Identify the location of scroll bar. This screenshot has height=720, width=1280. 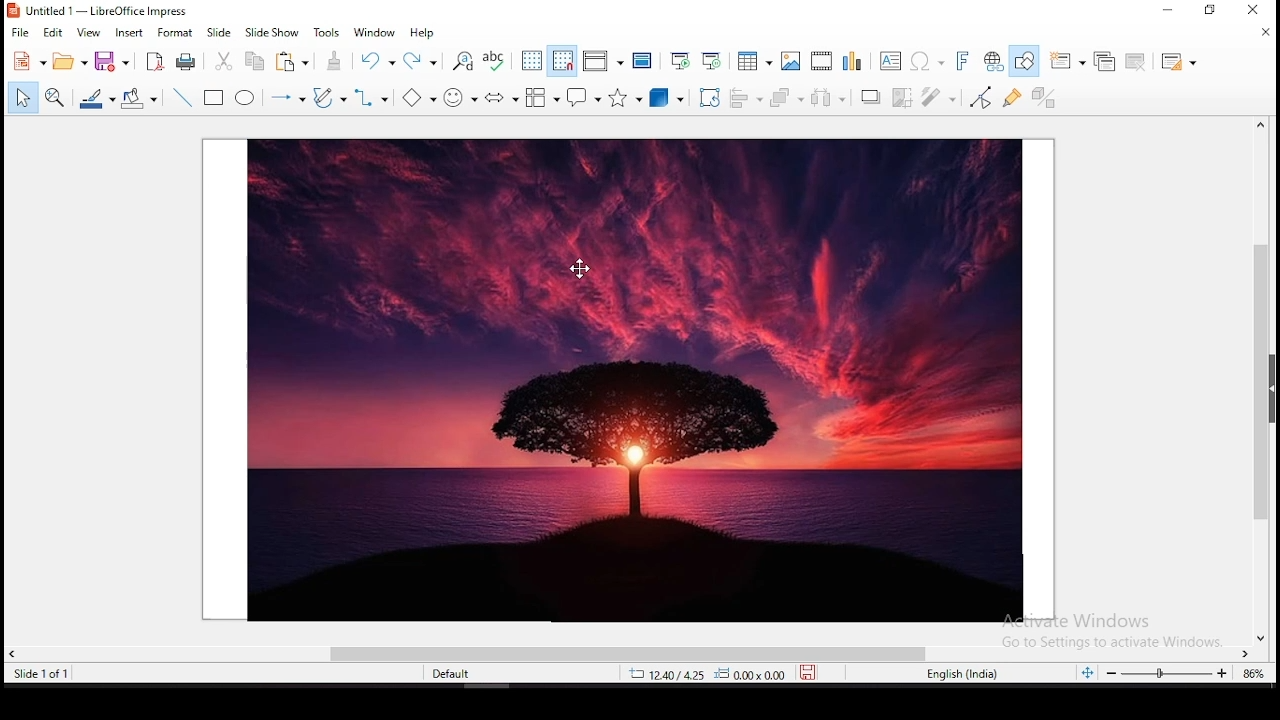
(1267, 380).